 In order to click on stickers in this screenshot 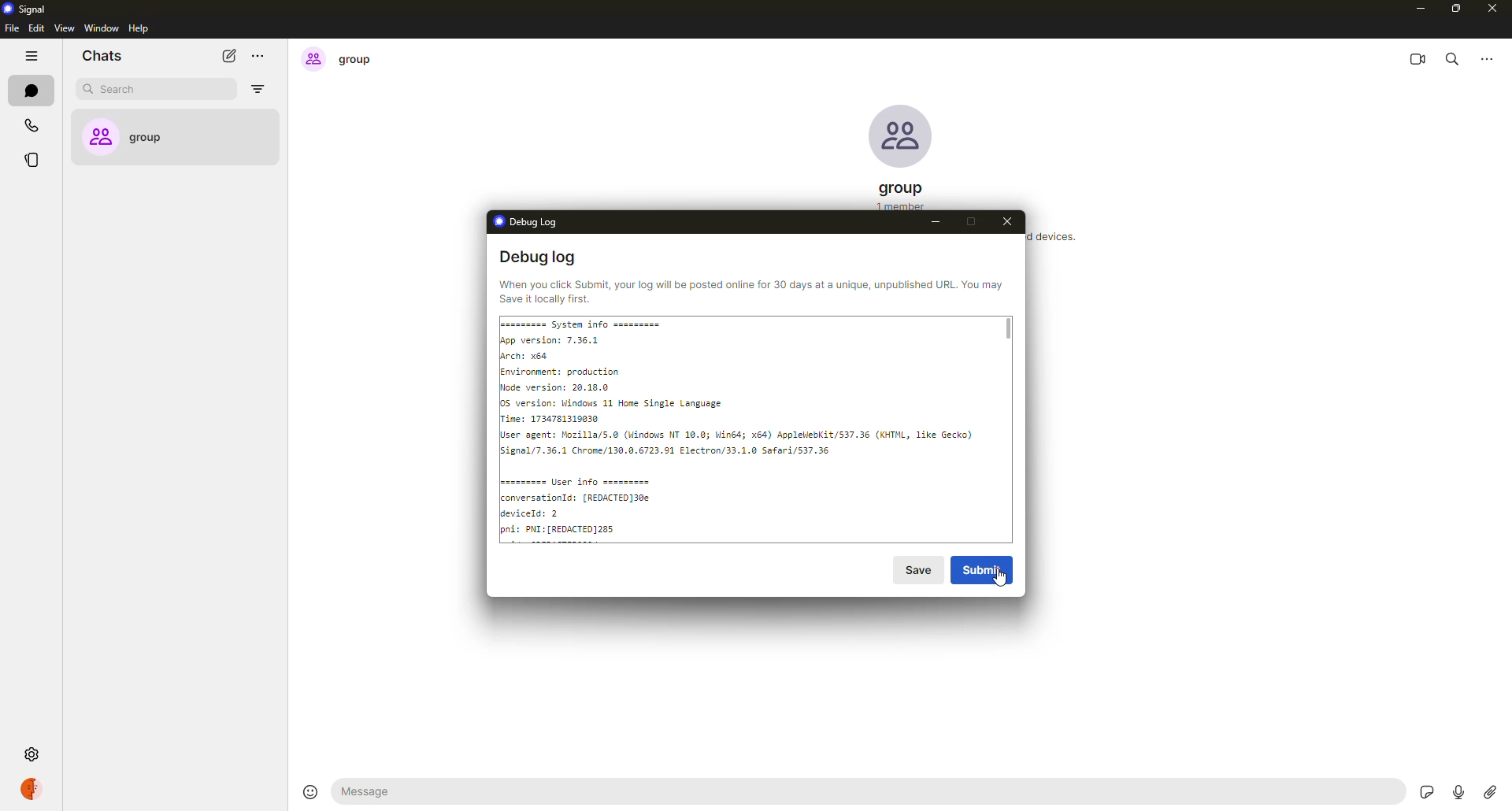, I will do `click(1429, 791)`.